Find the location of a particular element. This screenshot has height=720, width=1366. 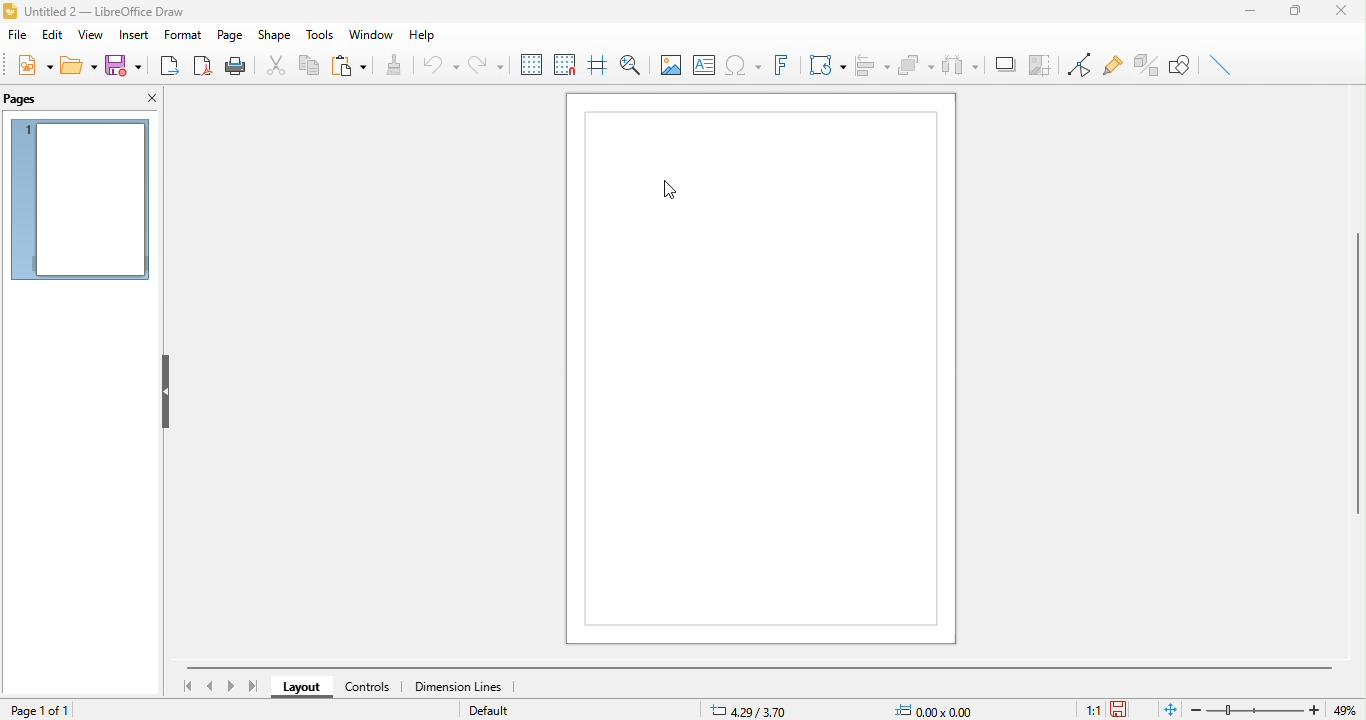

next page is located at coordinates (231, 687).